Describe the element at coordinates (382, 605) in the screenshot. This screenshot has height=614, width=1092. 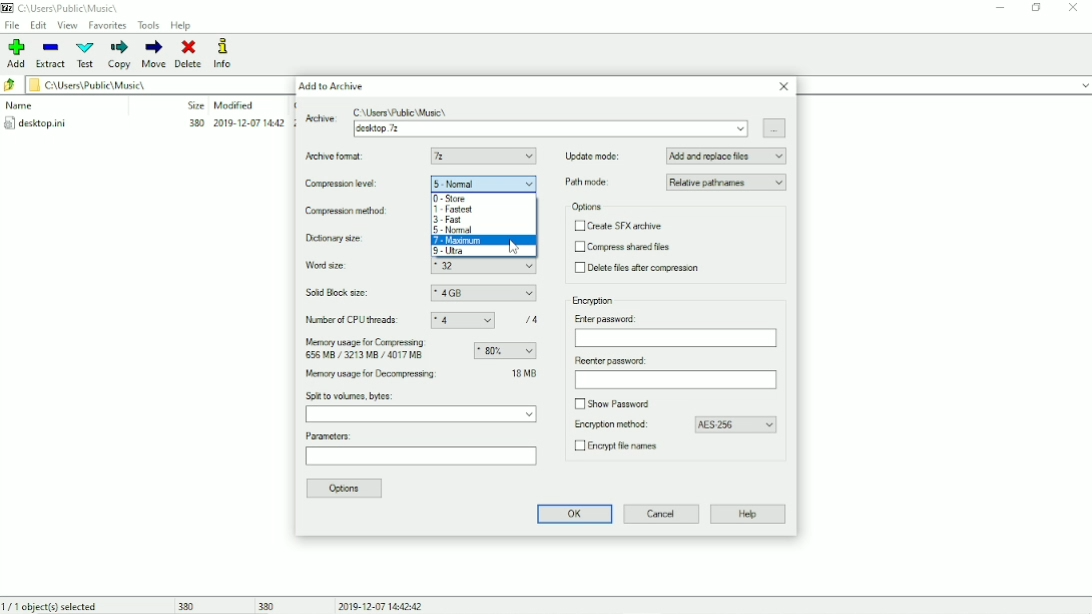
I see `Date and Time` at that location.